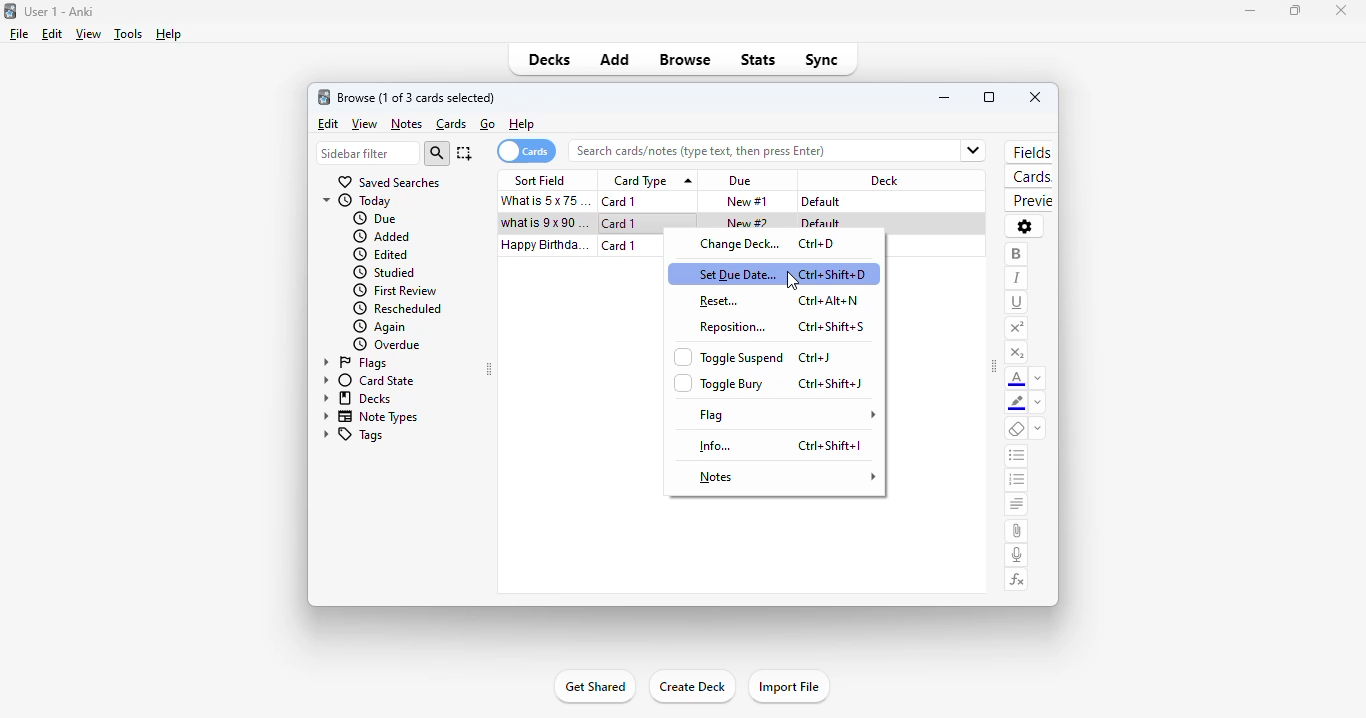 The width and height of the screenshot is (1366, 718). I want to click on ordered list, so click(1018, 480).